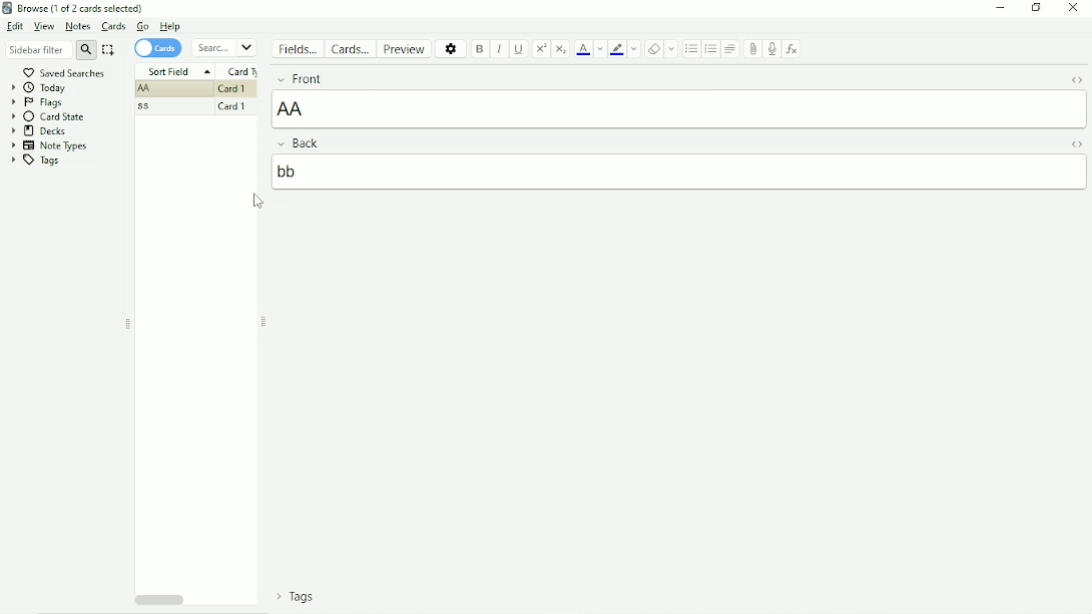 This screenshot has width=1092, height=614. I want to click on Italic, so click(500, 50).